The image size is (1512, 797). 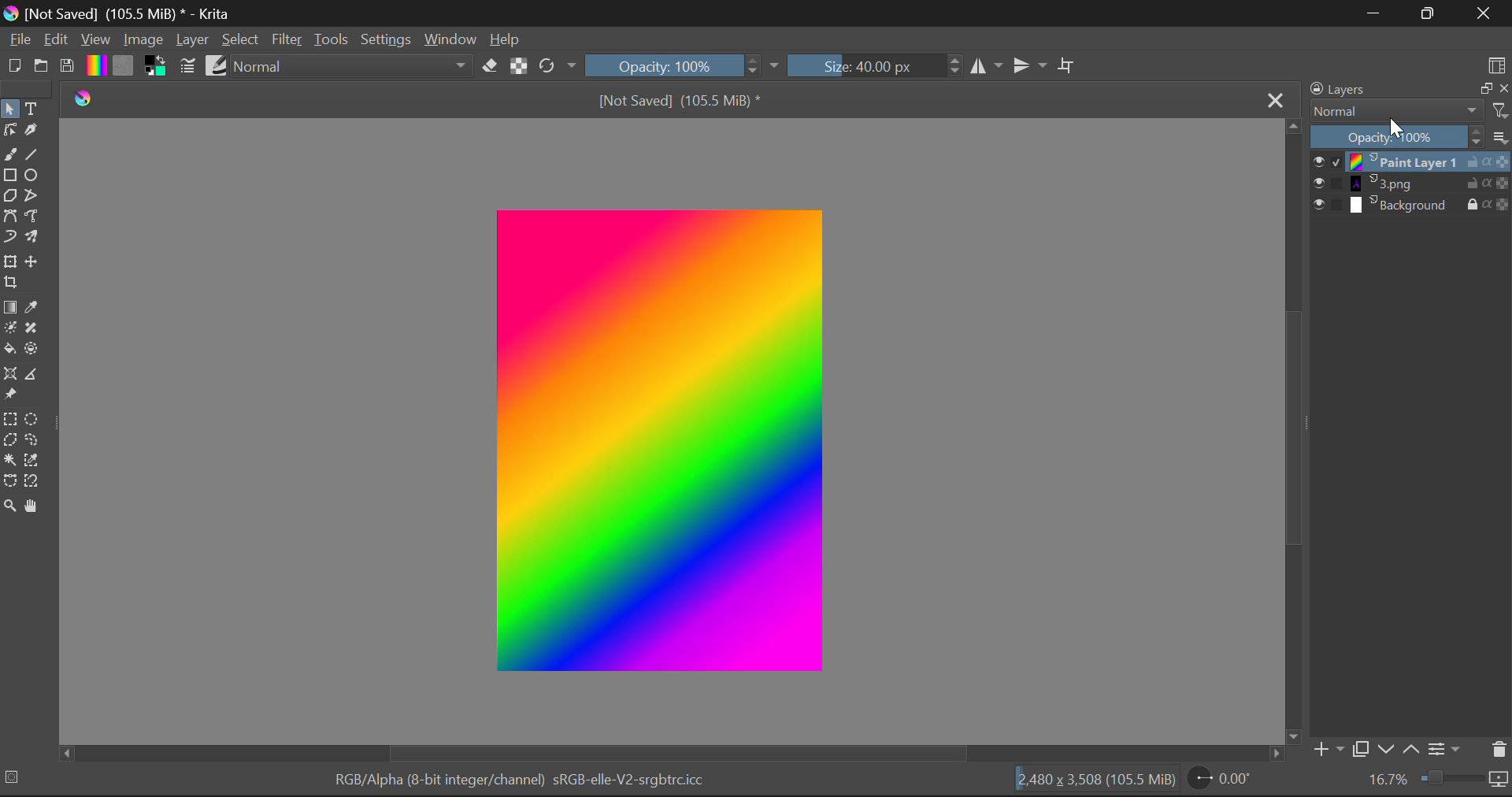 I want to click on Image, so click(x=145, y=42).